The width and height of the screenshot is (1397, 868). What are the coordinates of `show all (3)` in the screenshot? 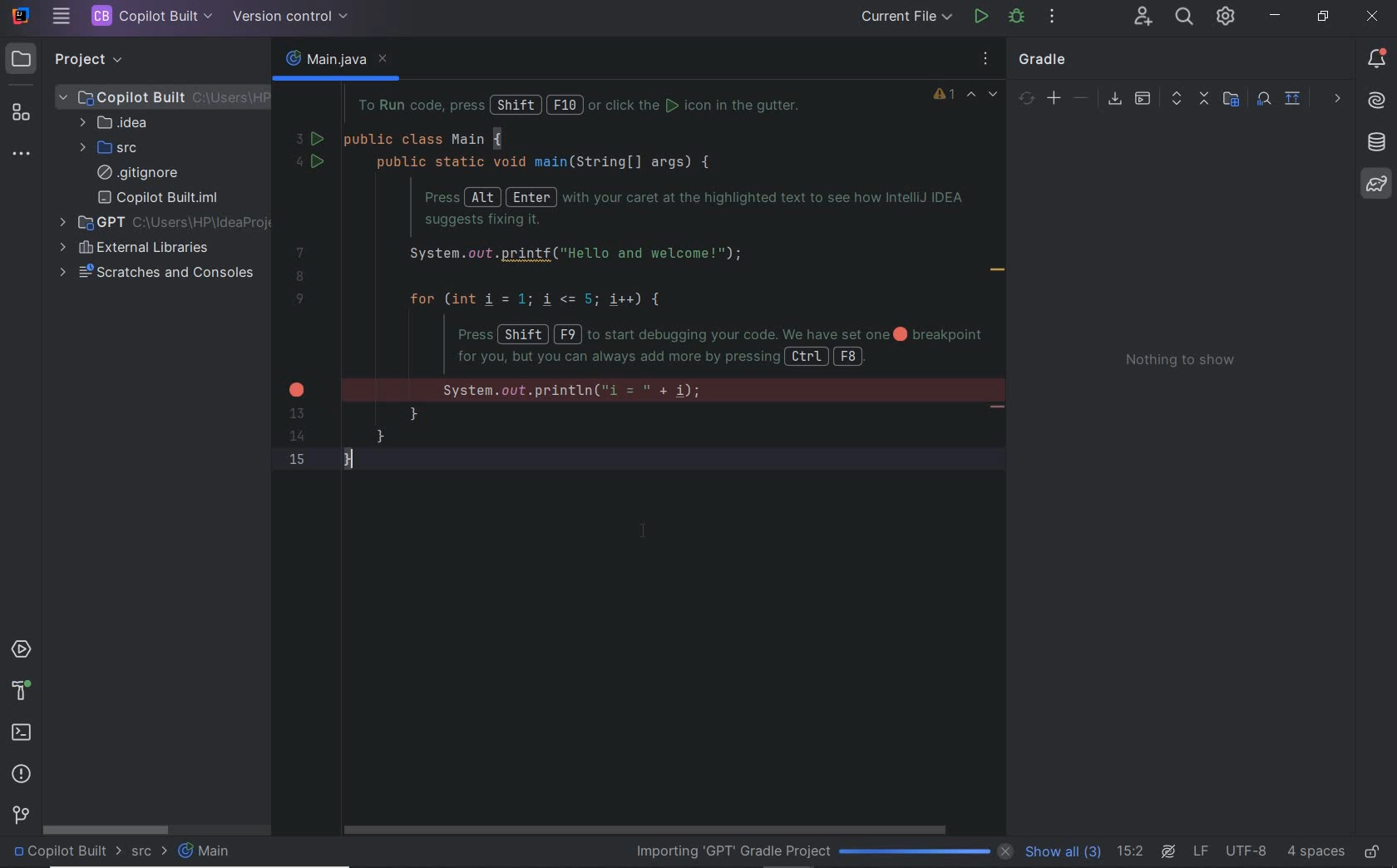 It's located at (1066, 854).